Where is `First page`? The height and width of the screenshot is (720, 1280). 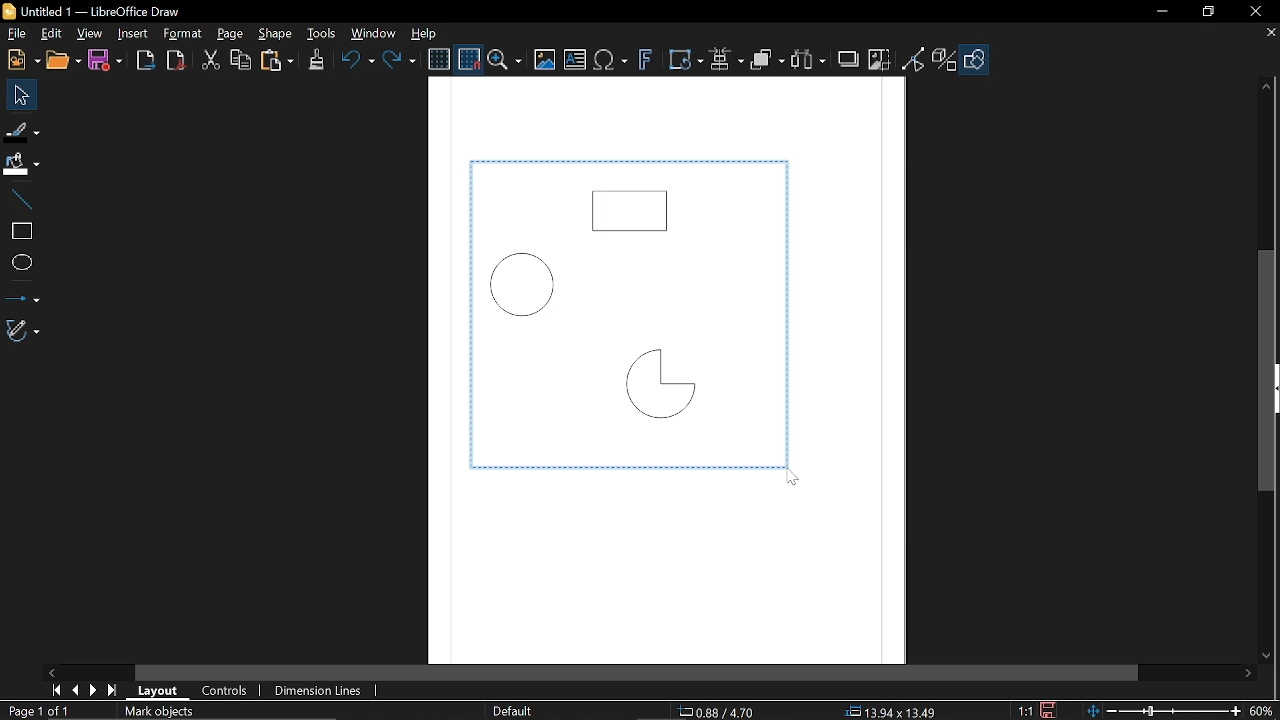
First page is located at coordinates (54, 691).